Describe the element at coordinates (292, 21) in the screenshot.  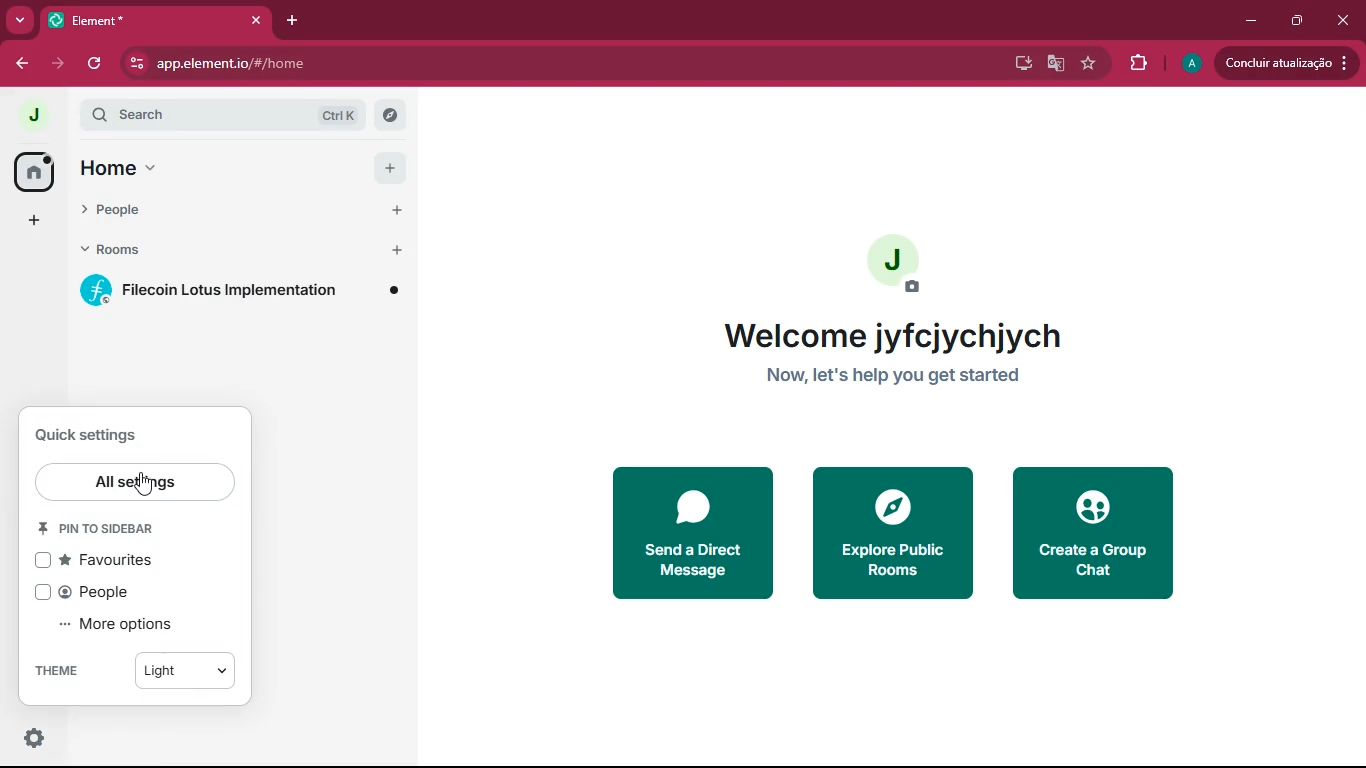
I see `add tab` at that location.